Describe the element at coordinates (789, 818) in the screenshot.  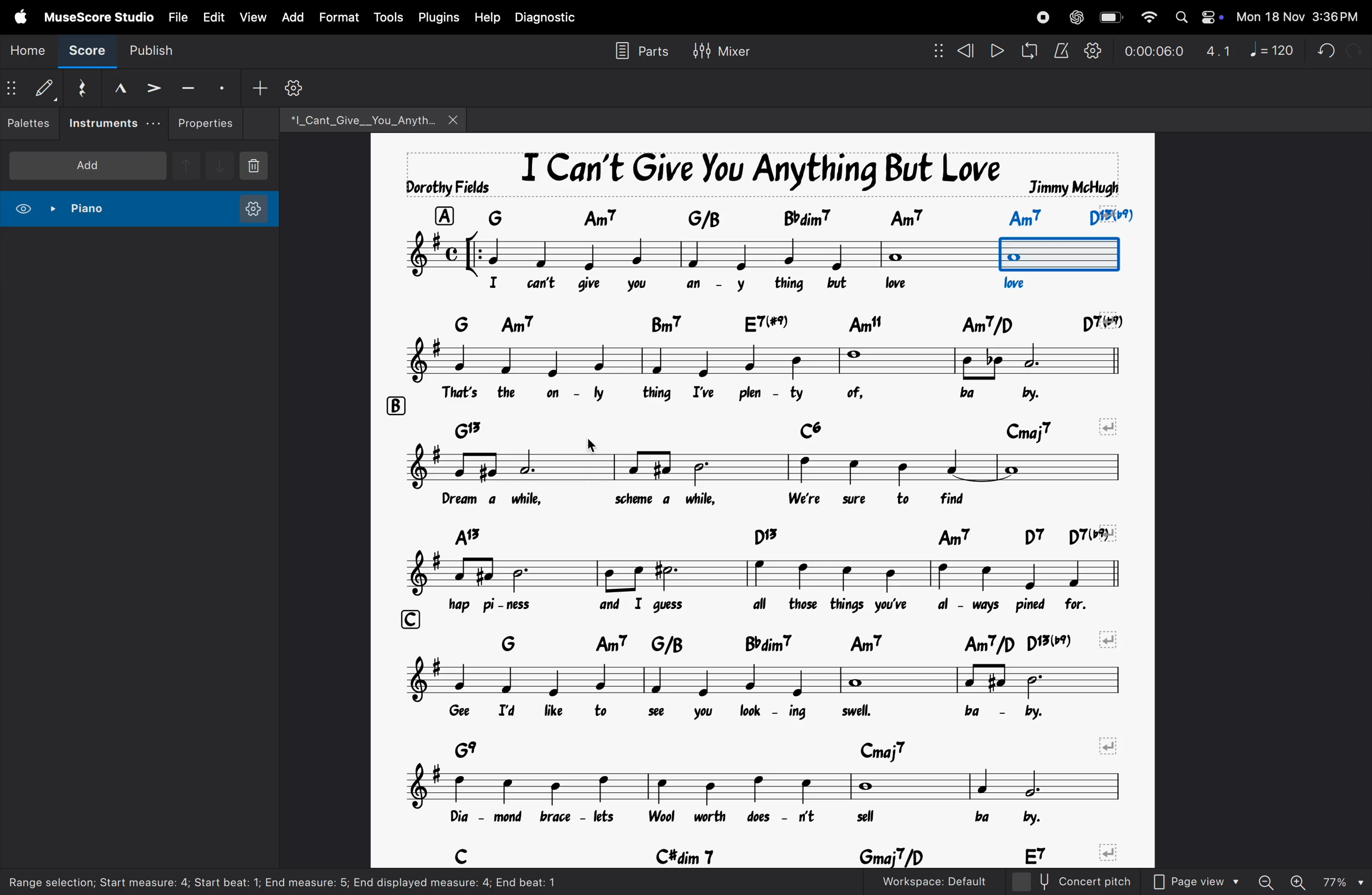
I see `lyrics` at that location.